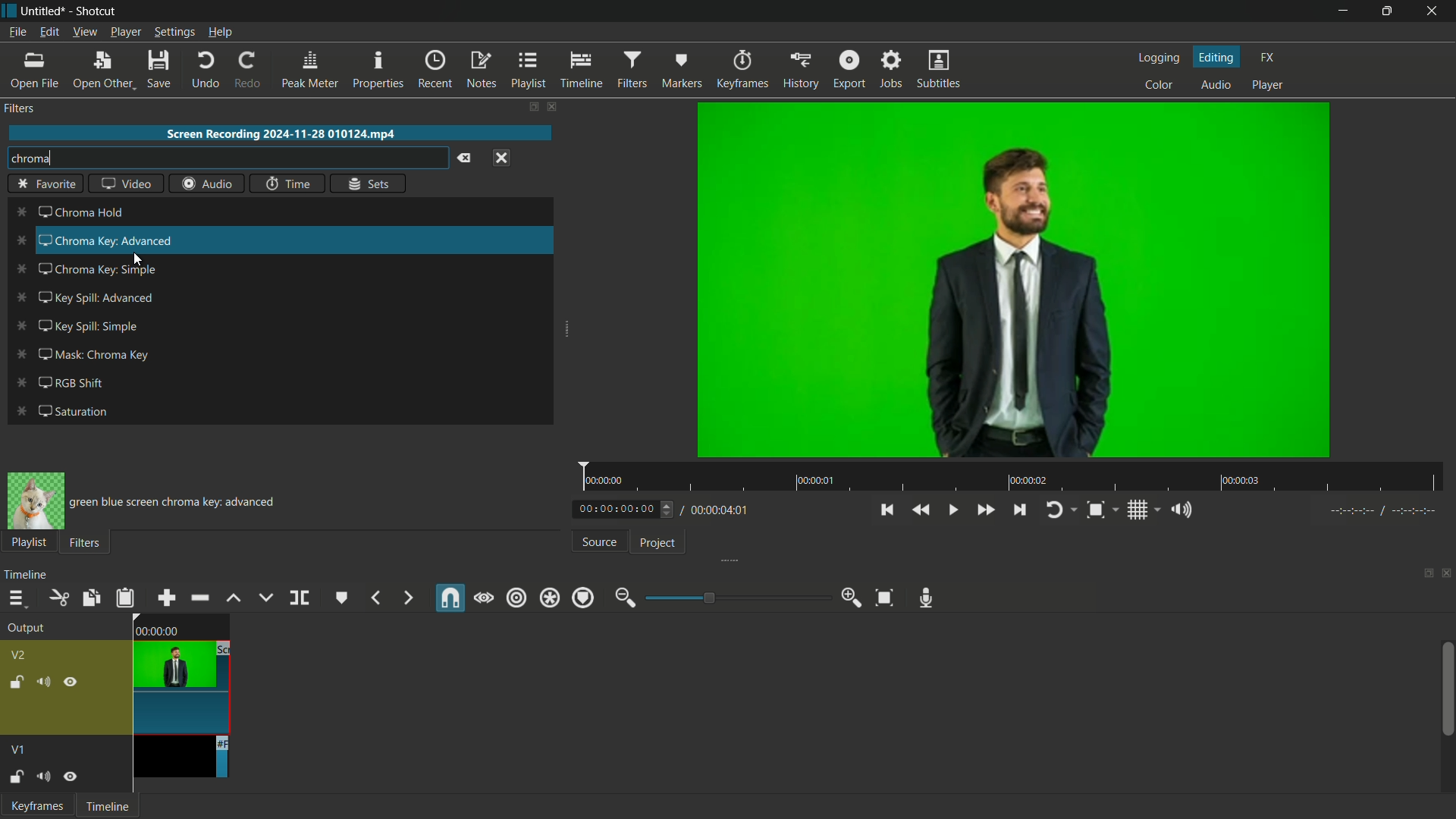 This screenshot has width=1456, height=819. What do you see at coordinates (921, 511) in the screenshot?
I see `quickly play backward` at bounding box center [921, 511].